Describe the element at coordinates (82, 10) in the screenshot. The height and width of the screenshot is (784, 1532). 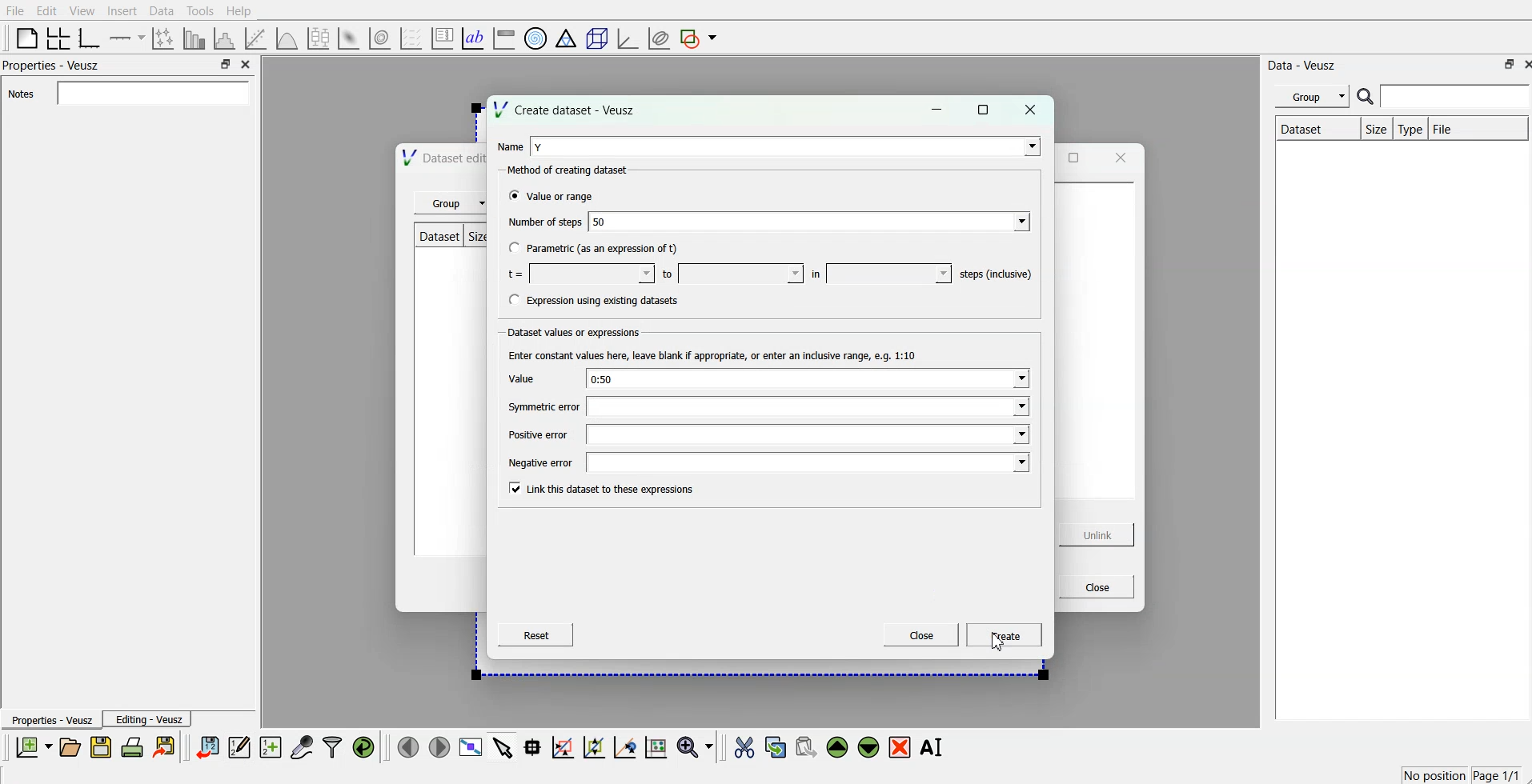
I see `View` at that location.